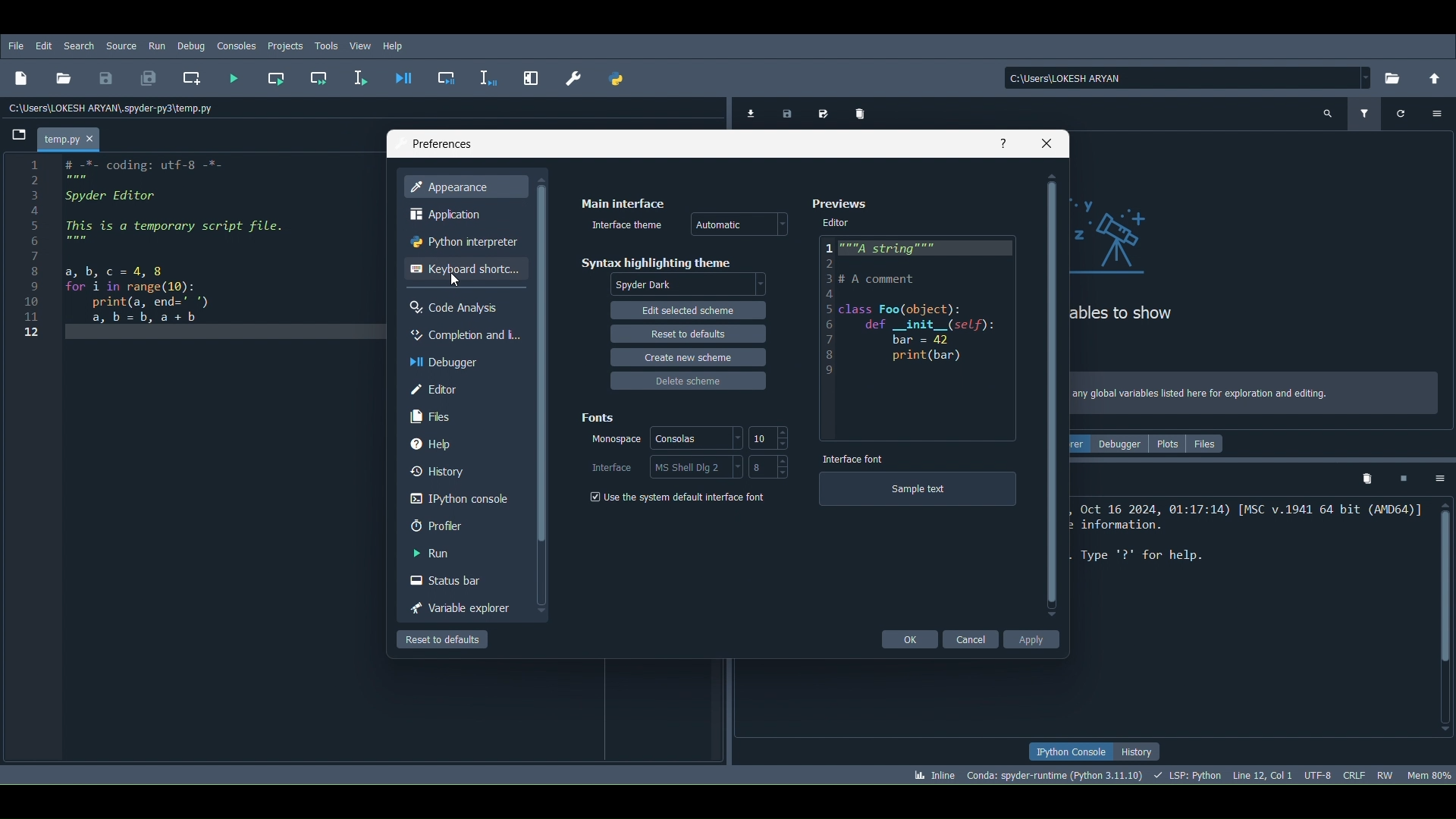  I want to click on Application, so click(449, 214).